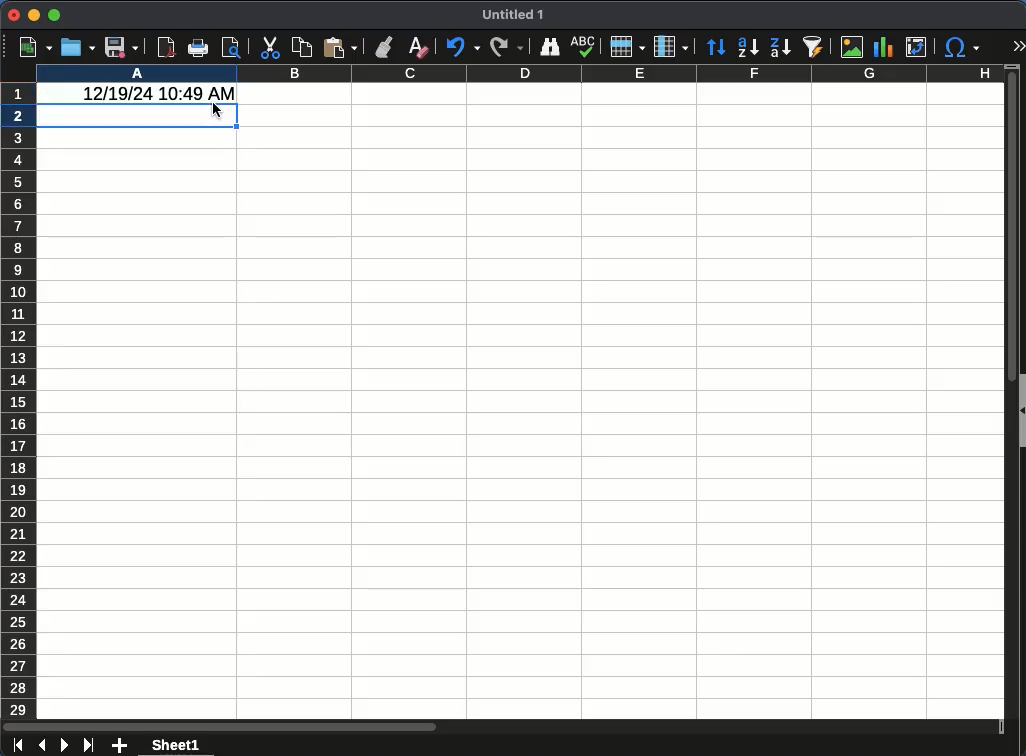  I want to click on cell selected, so click(138, 116).